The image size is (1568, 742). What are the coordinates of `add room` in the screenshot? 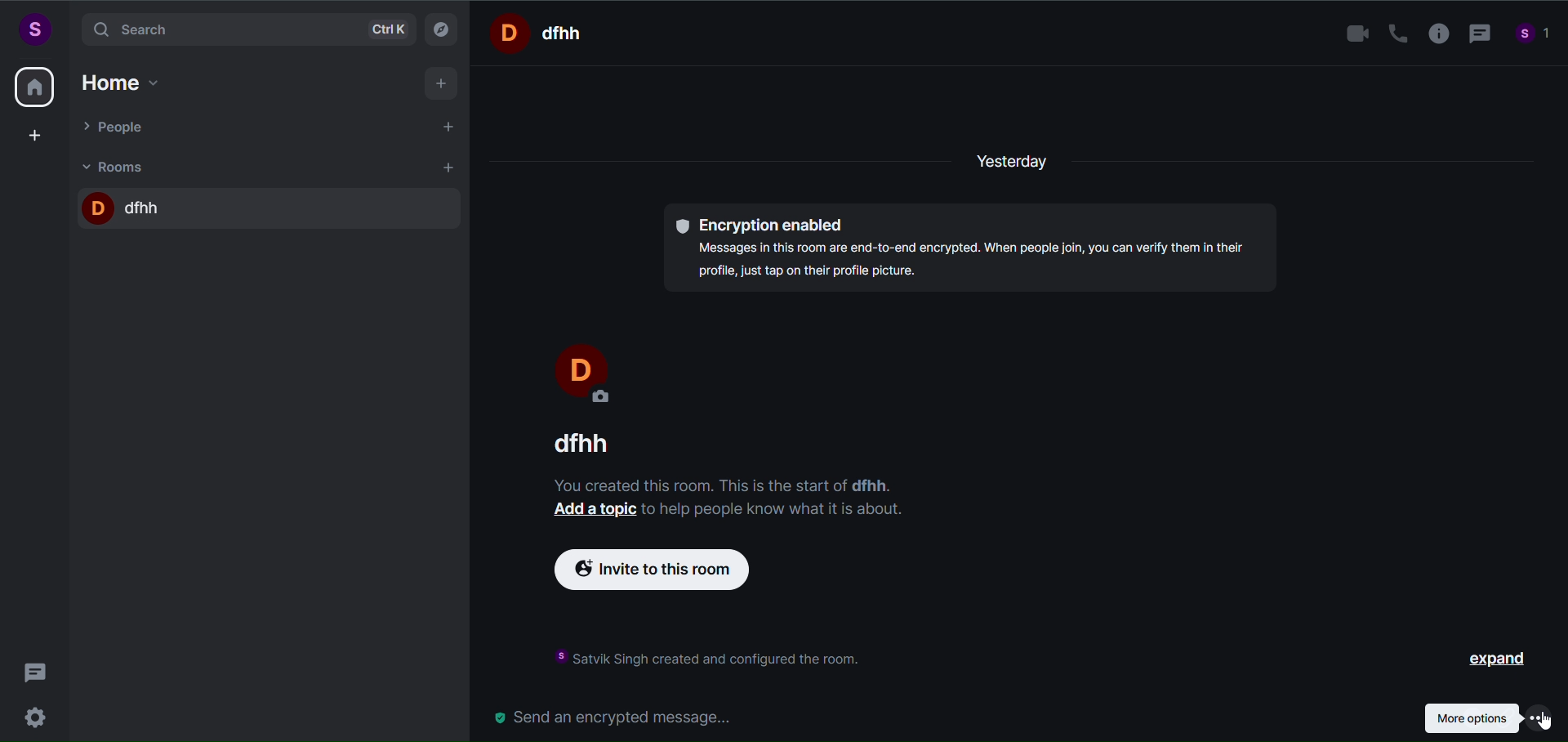 It's located at (451, 168).